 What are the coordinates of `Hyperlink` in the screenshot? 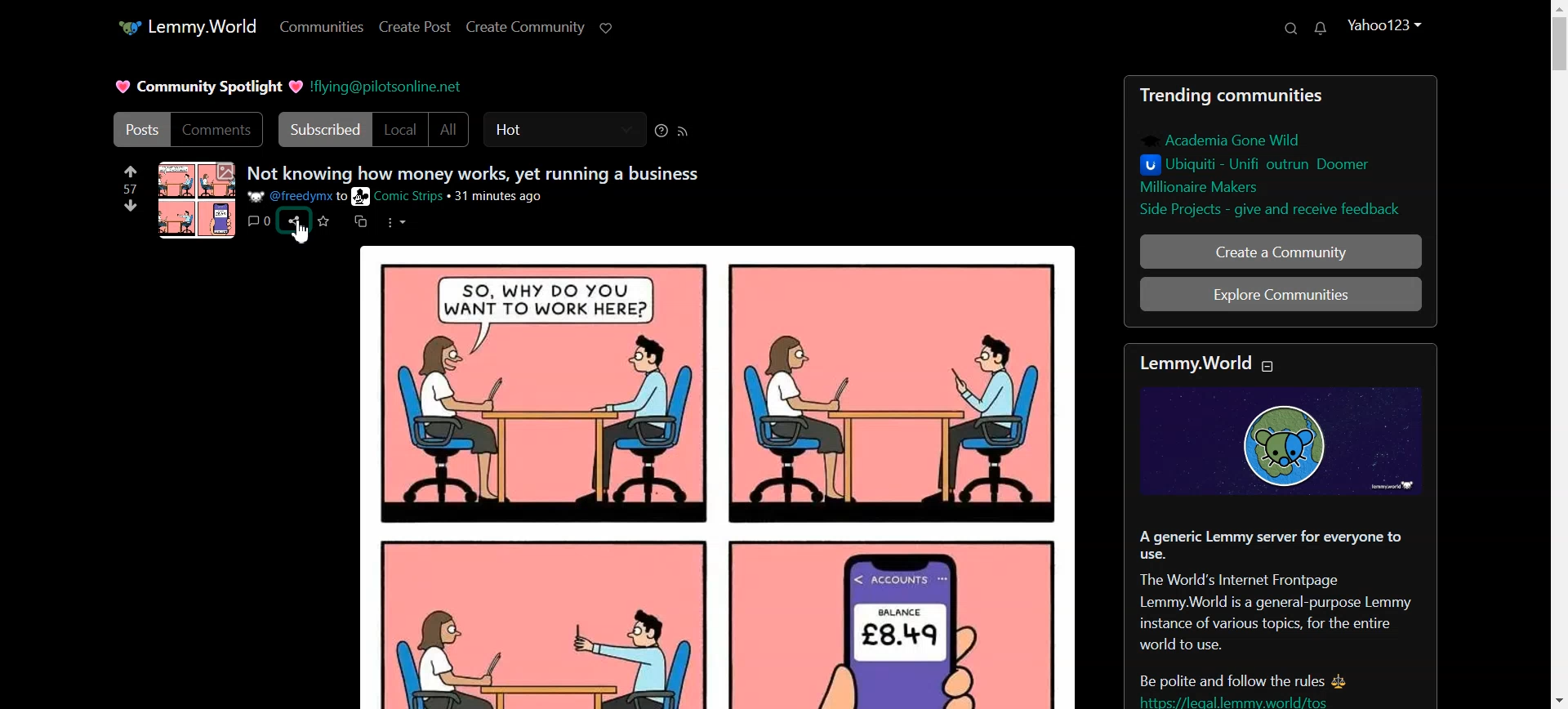 It's located at (386, 85).